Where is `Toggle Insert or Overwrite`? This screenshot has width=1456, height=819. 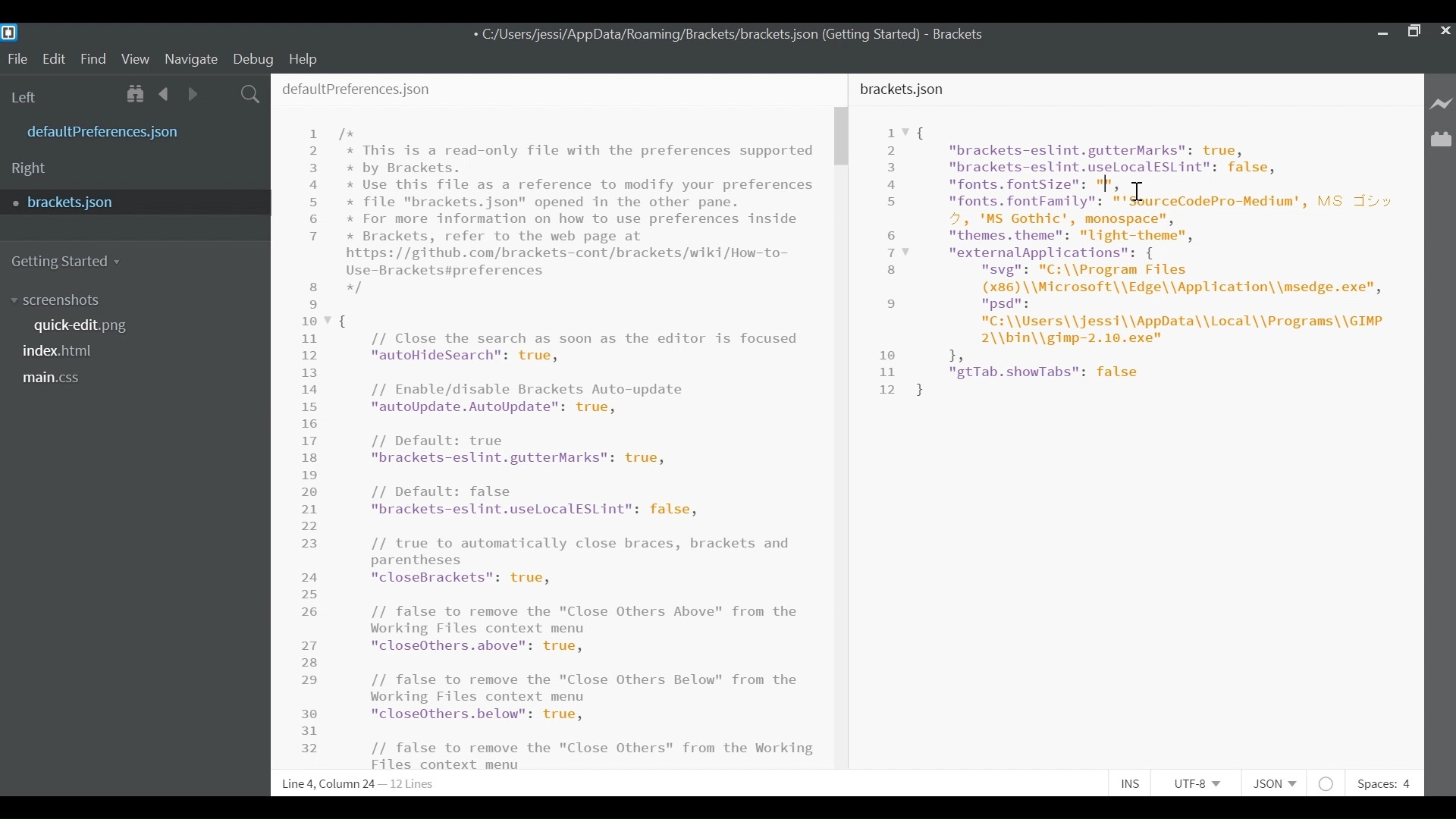 Toggle Insert or Overwrite is located at coordinates (1128, 782).